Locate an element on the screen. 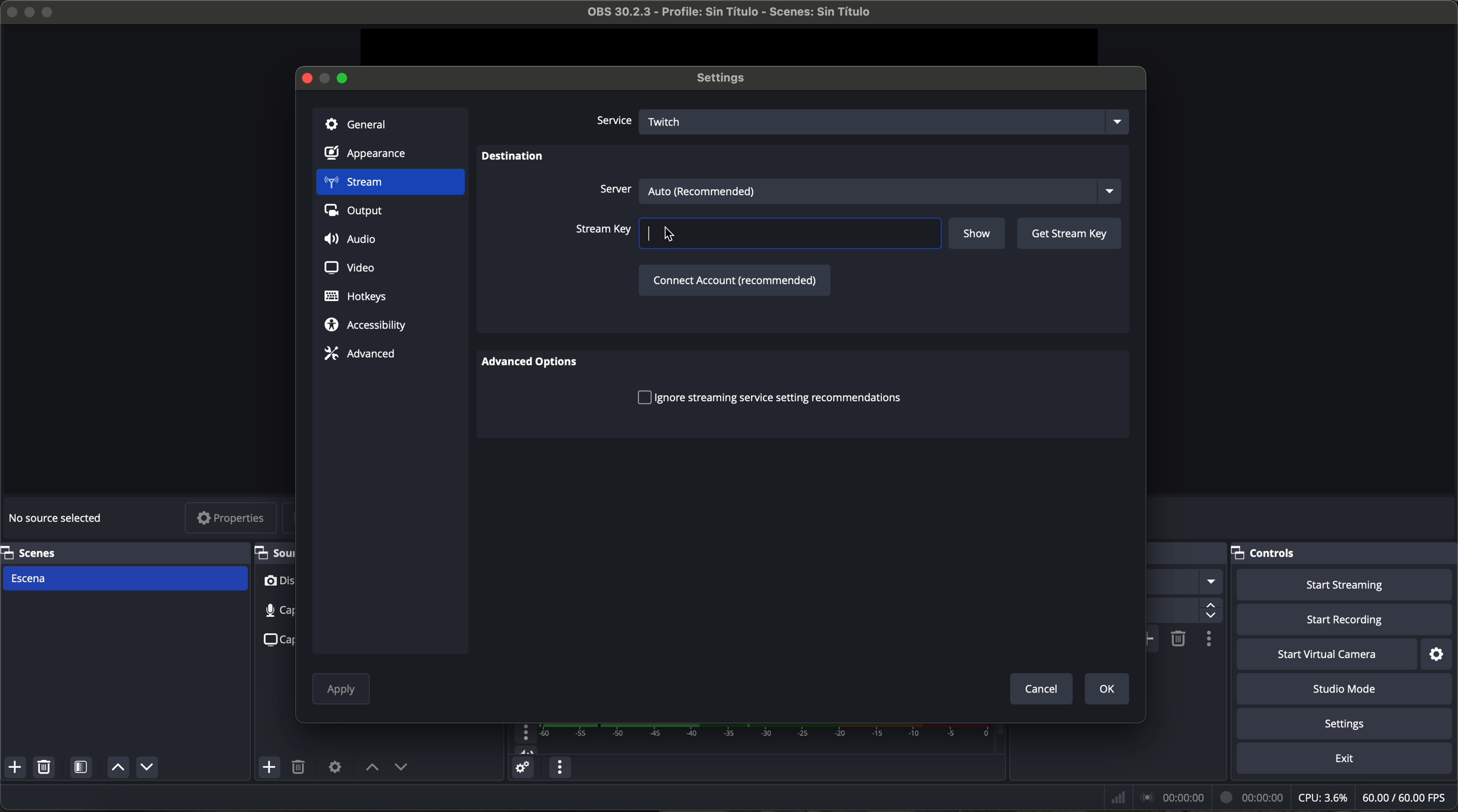 The width and height of the screenshot is (1458, 812). click on start streaming is located at coordinates (1345, 586).